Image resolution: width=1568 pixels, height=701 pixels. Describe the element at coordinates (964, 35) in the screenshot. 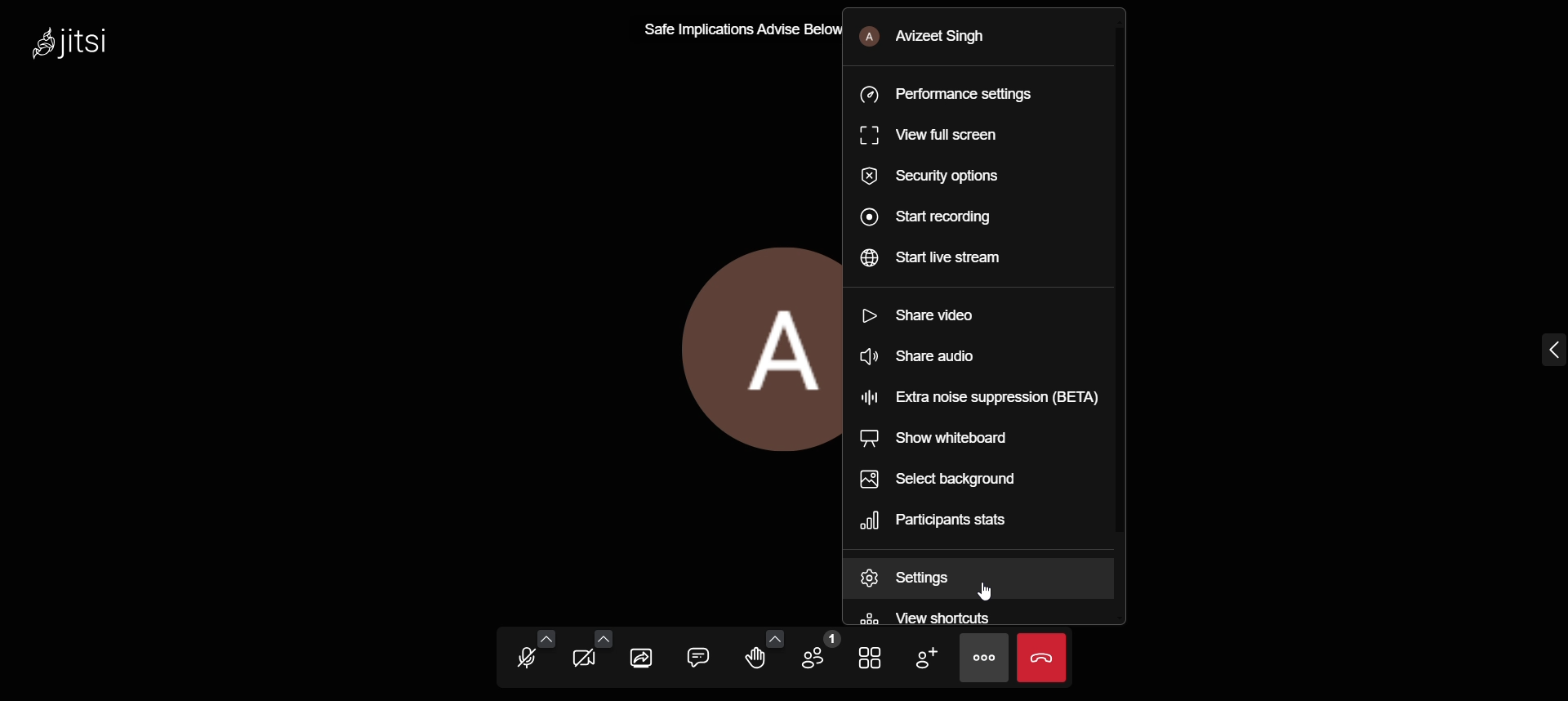

I see `avizeet singh` at that location.